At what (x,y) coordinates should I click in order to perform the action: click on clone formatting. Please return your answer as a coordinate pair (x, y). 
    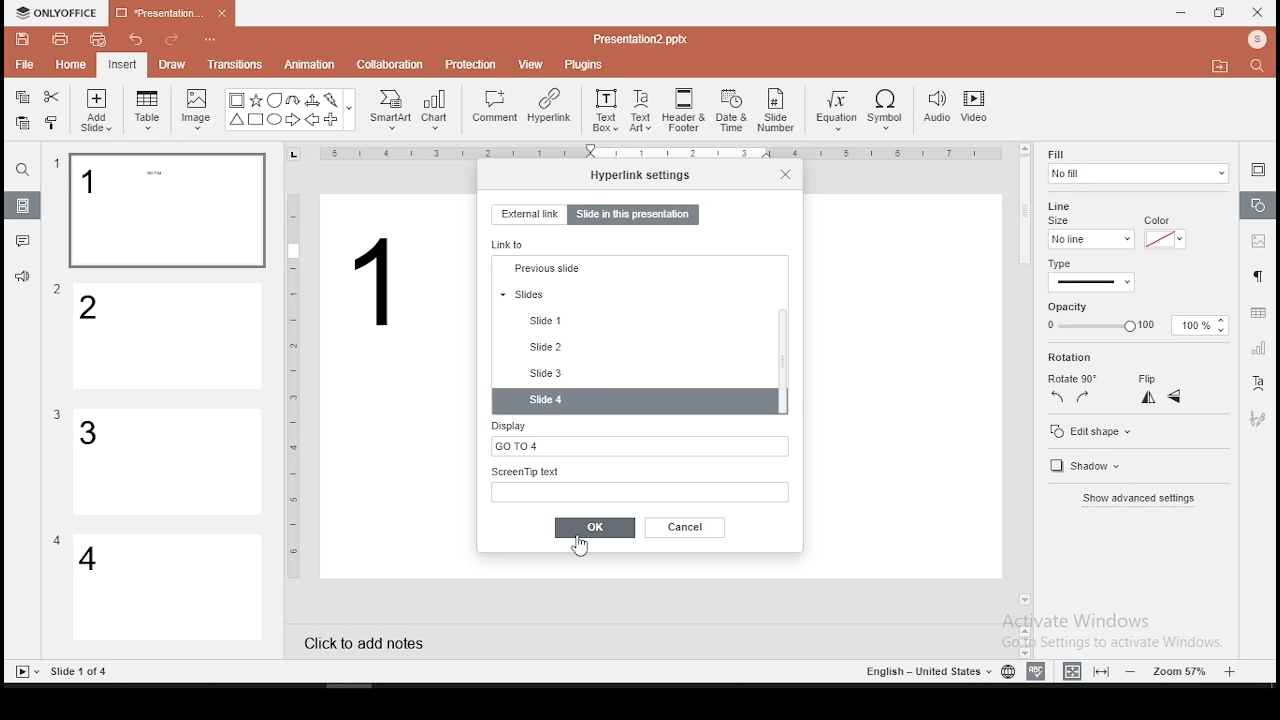
    Looking at the image, I should click on (52, 122).